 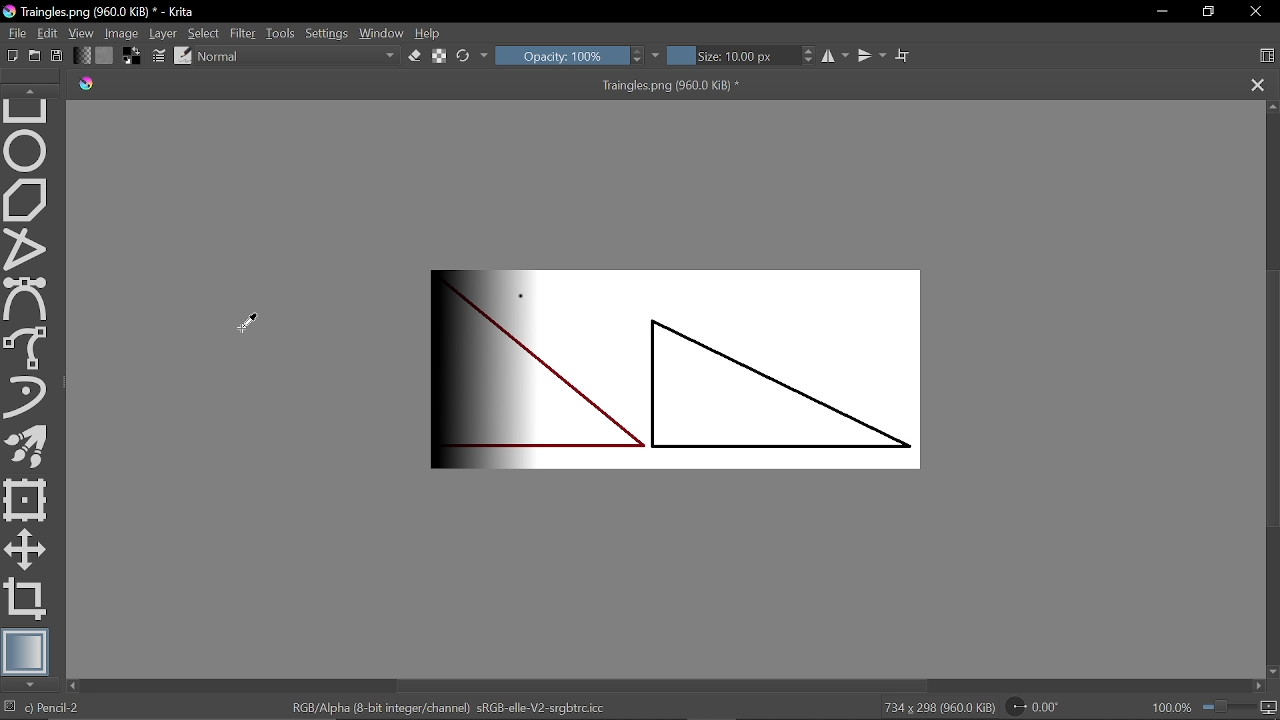 What do you see at coordinates (282, 33) in the screenshot?
I see `Tools` at bounding box center [282, 33].